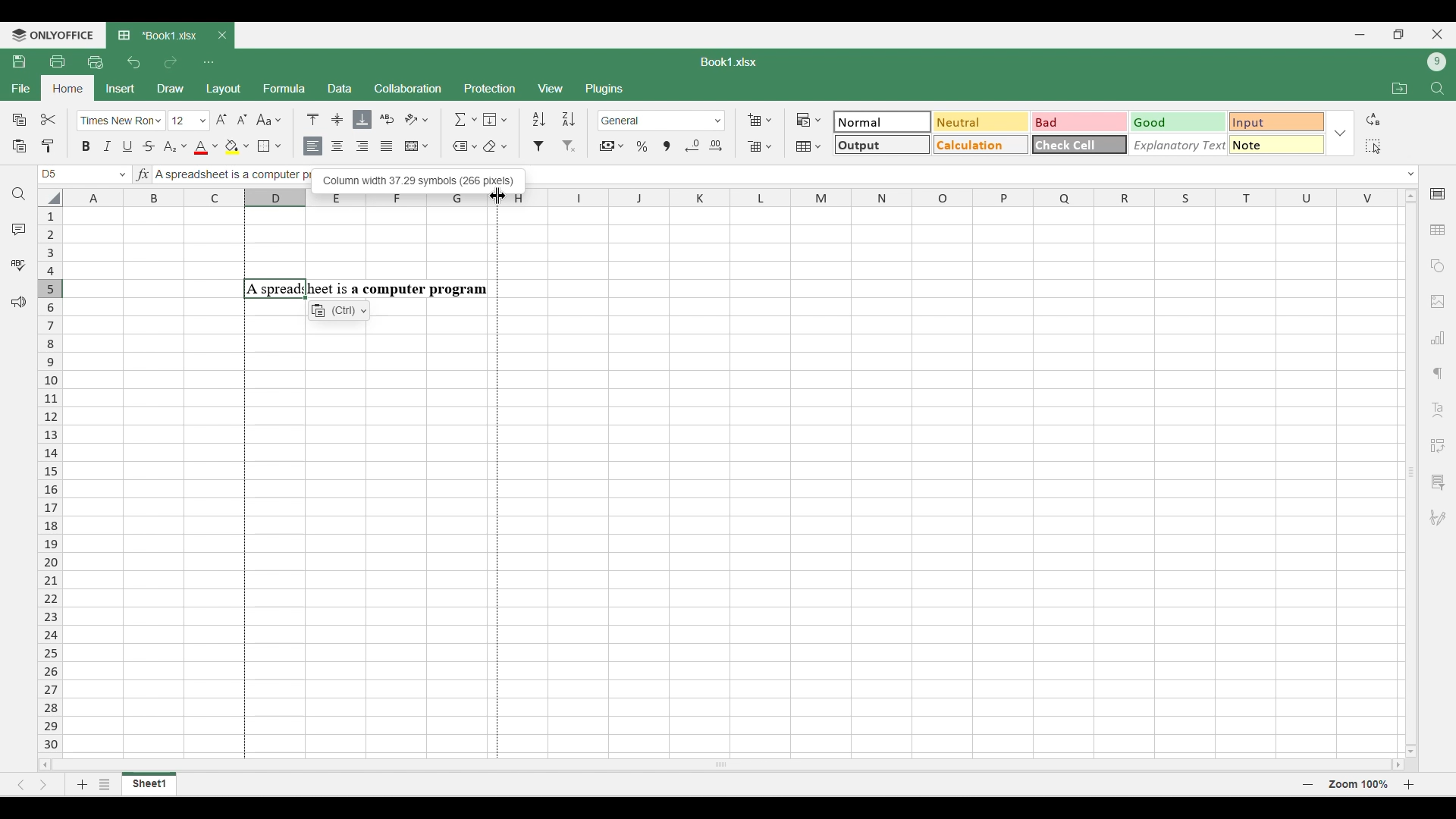  Describe the element at coordinates (1080, 133) in the screenshot. I see `Cell type options` at that location.